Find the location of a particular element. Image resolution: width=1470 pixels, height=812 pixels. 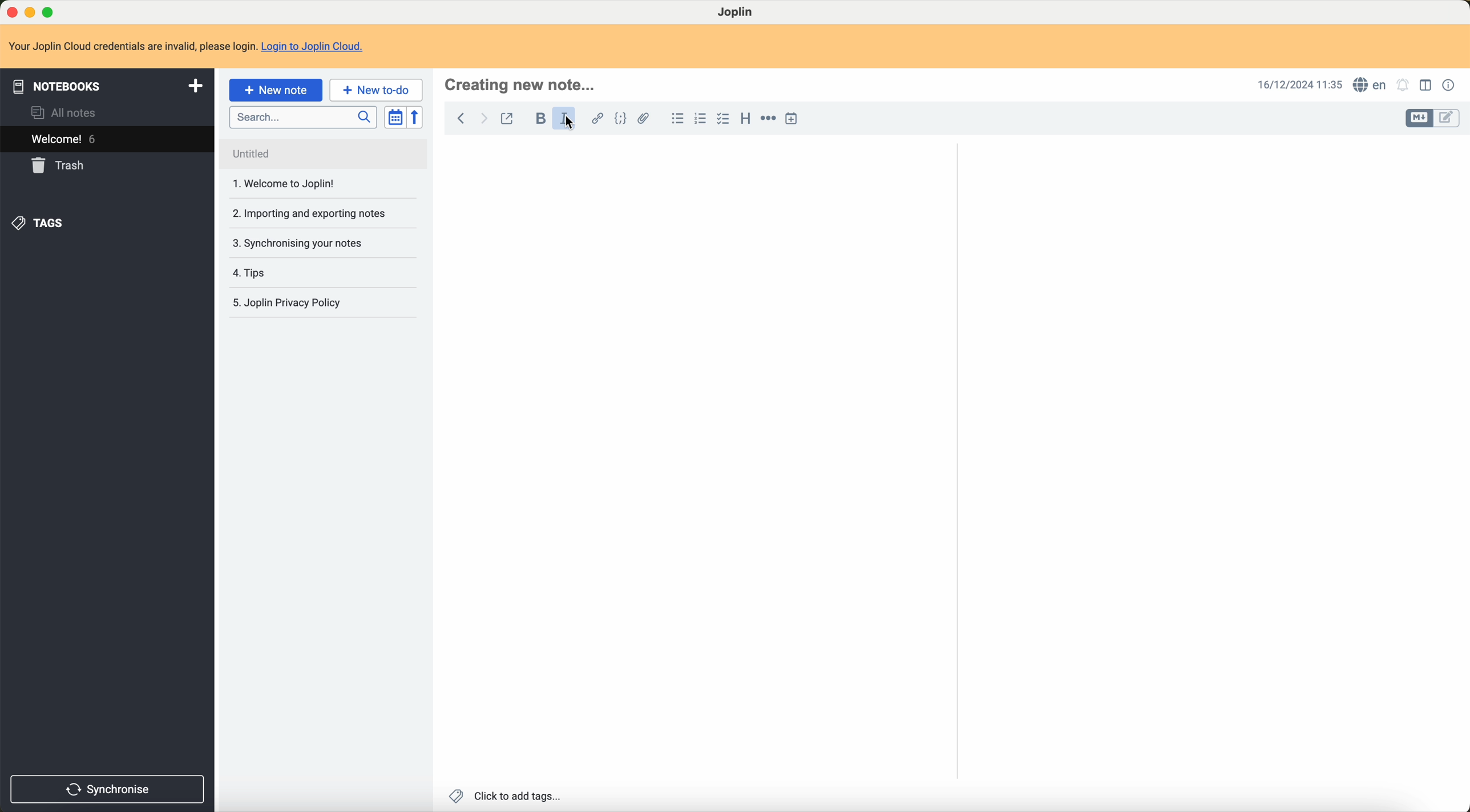

trash is located at coordinates (60, 166).